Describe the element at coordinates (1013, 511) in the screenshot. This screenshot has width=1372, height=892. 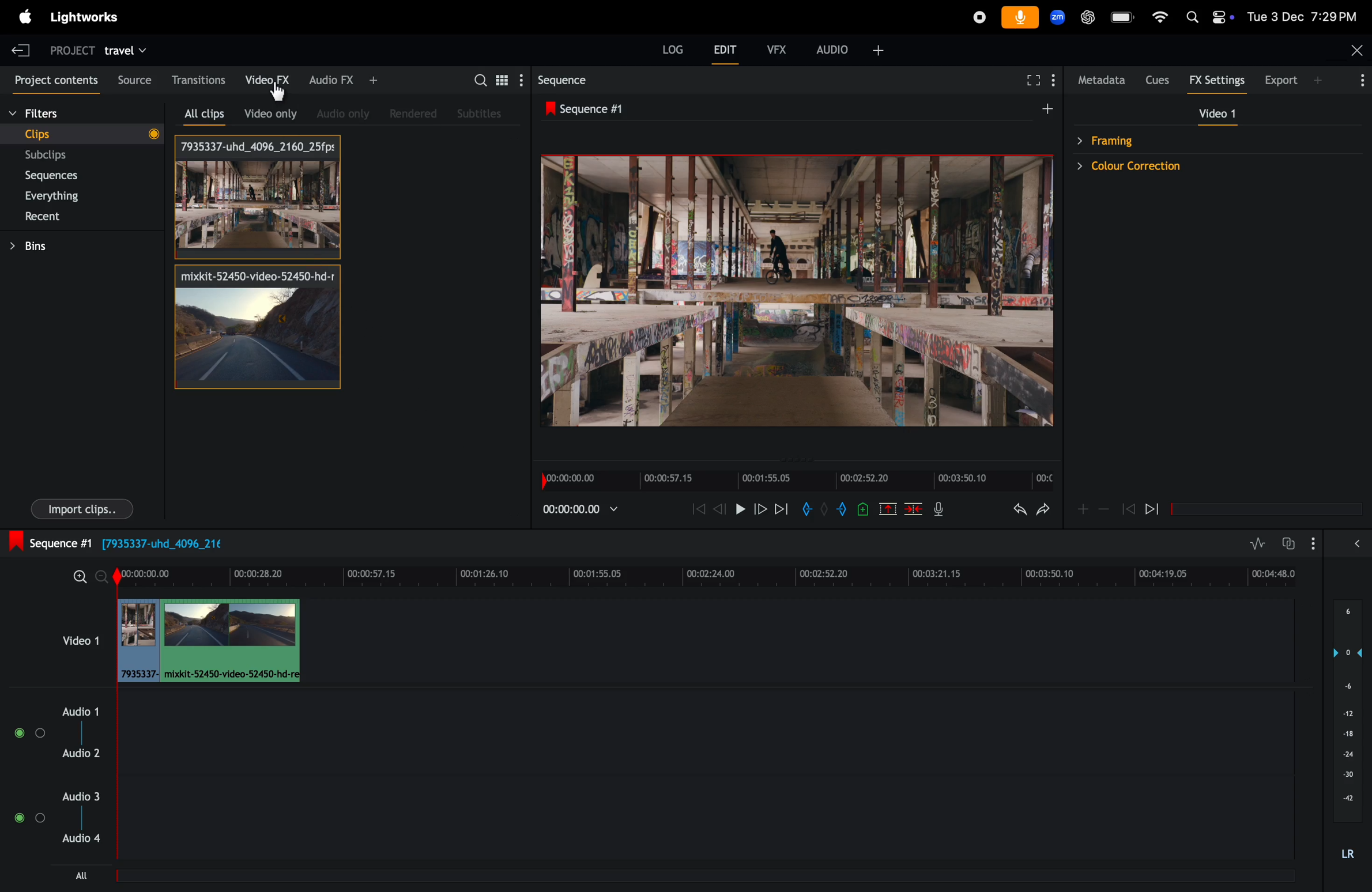
I see `undo` at that location.